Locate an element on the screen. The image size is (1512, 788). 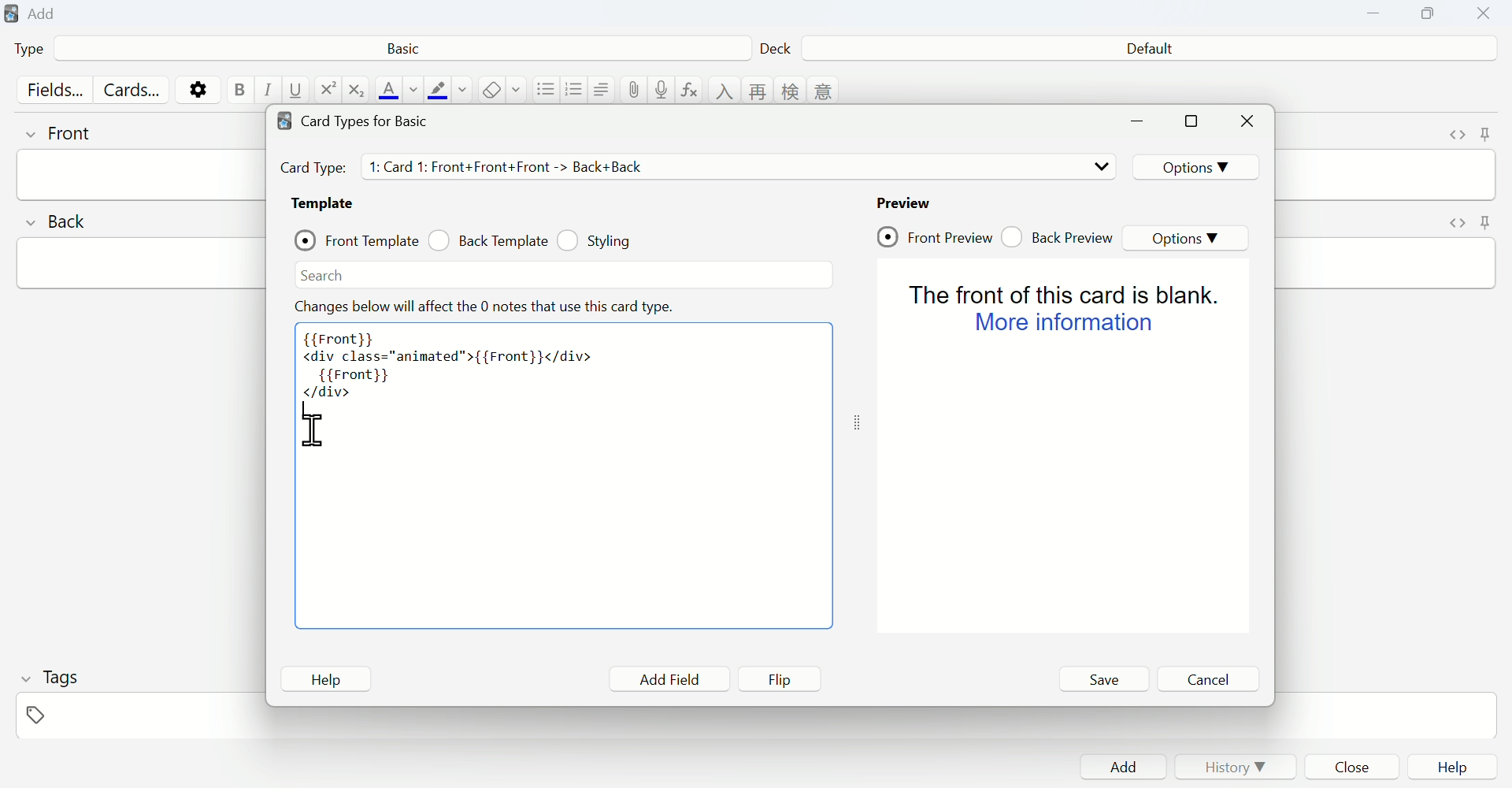
ordered list is located at coordinates (574, 90).